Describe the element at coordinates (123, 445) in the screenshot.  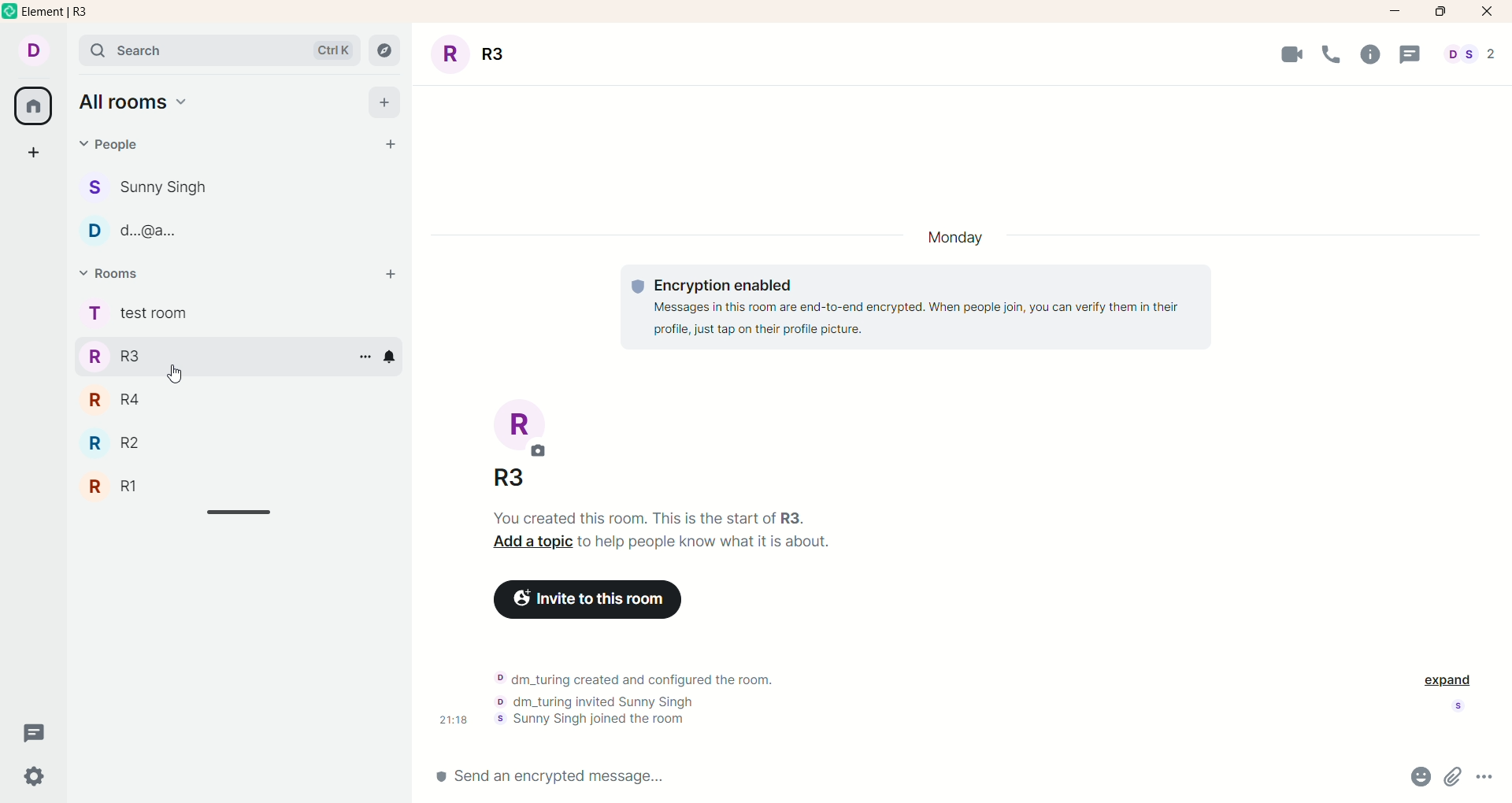
I see `R2` at that location.